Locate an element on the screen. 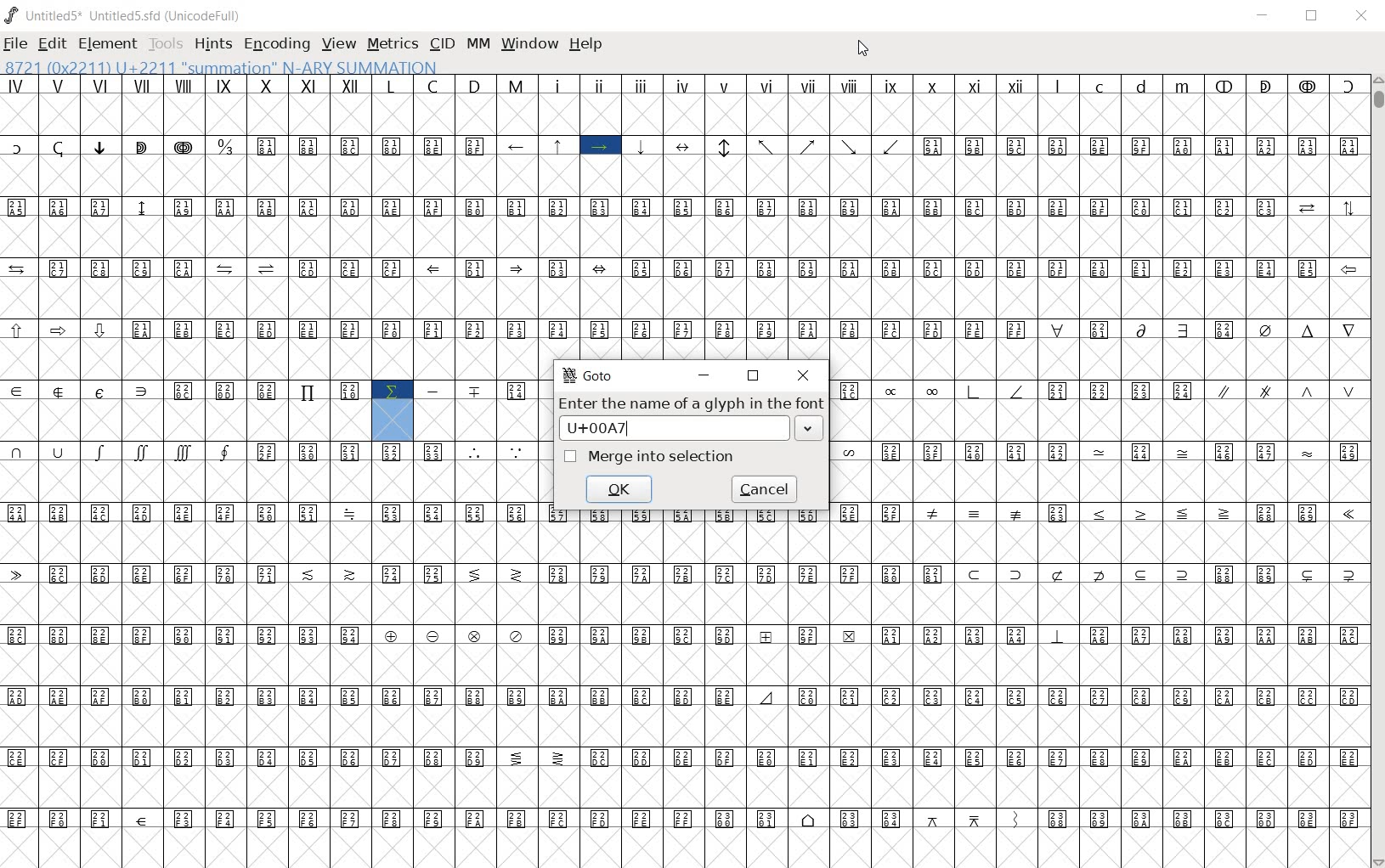 The height and width of the screenshot is (868, 1385). empty cells is located at coordinates (279, 482).